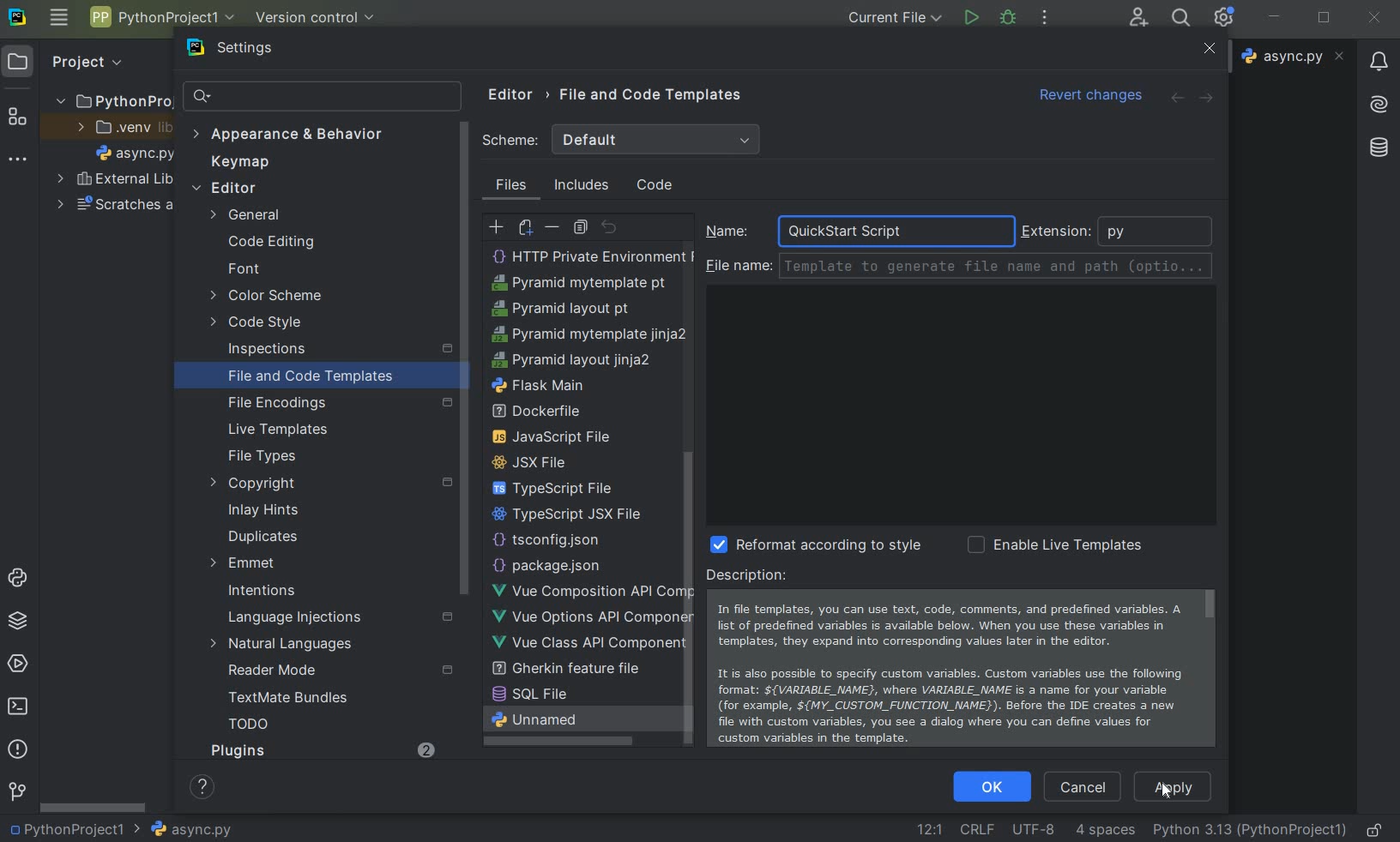 Image resolution: width=1400 pixels, height=842 pixels. I want to click on code with me, so click(1138, 19).